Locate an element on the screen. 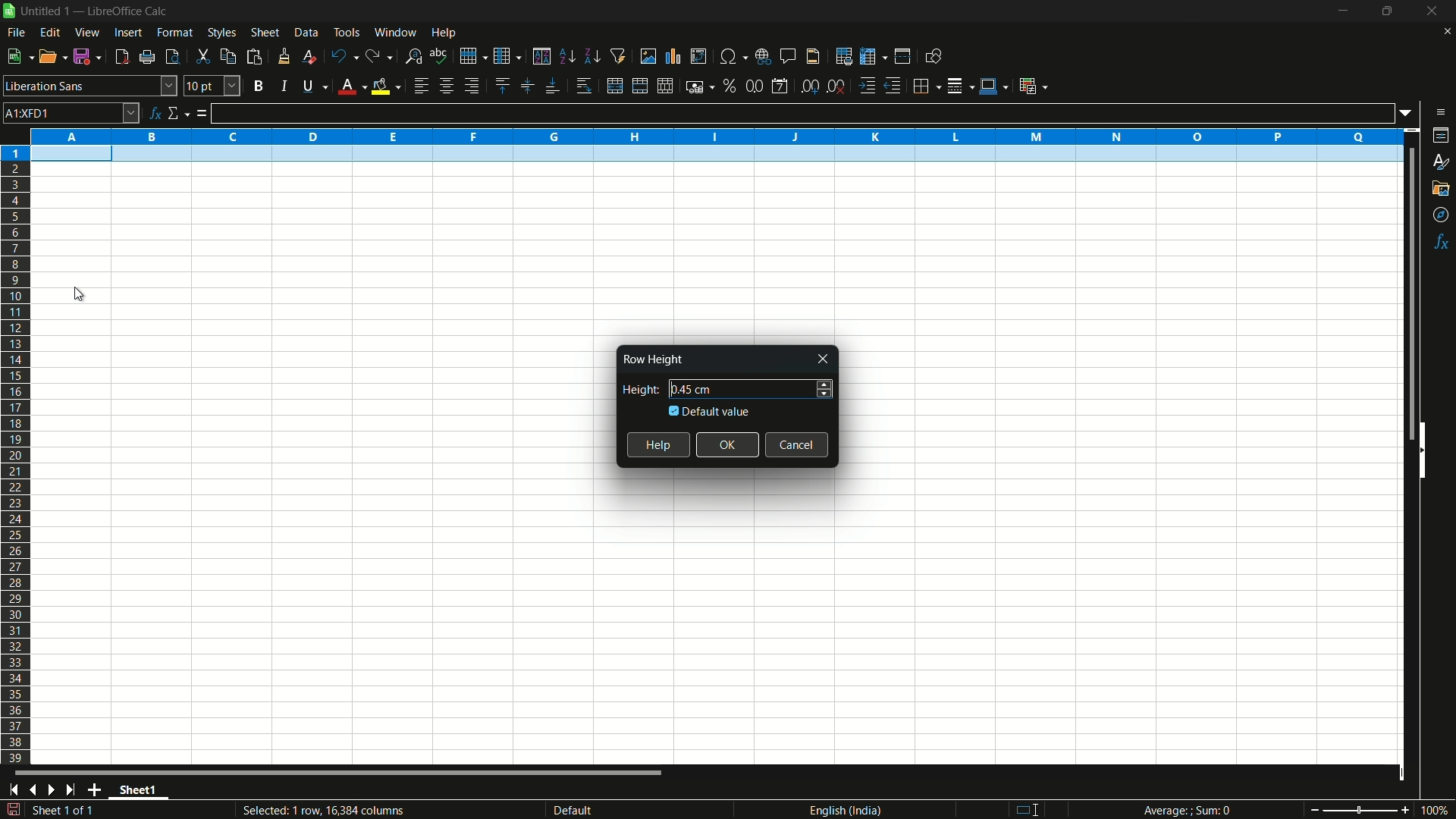 This screenshot has width=1456, height=819. current zoom 100% is located at coordinates (1437, 810).